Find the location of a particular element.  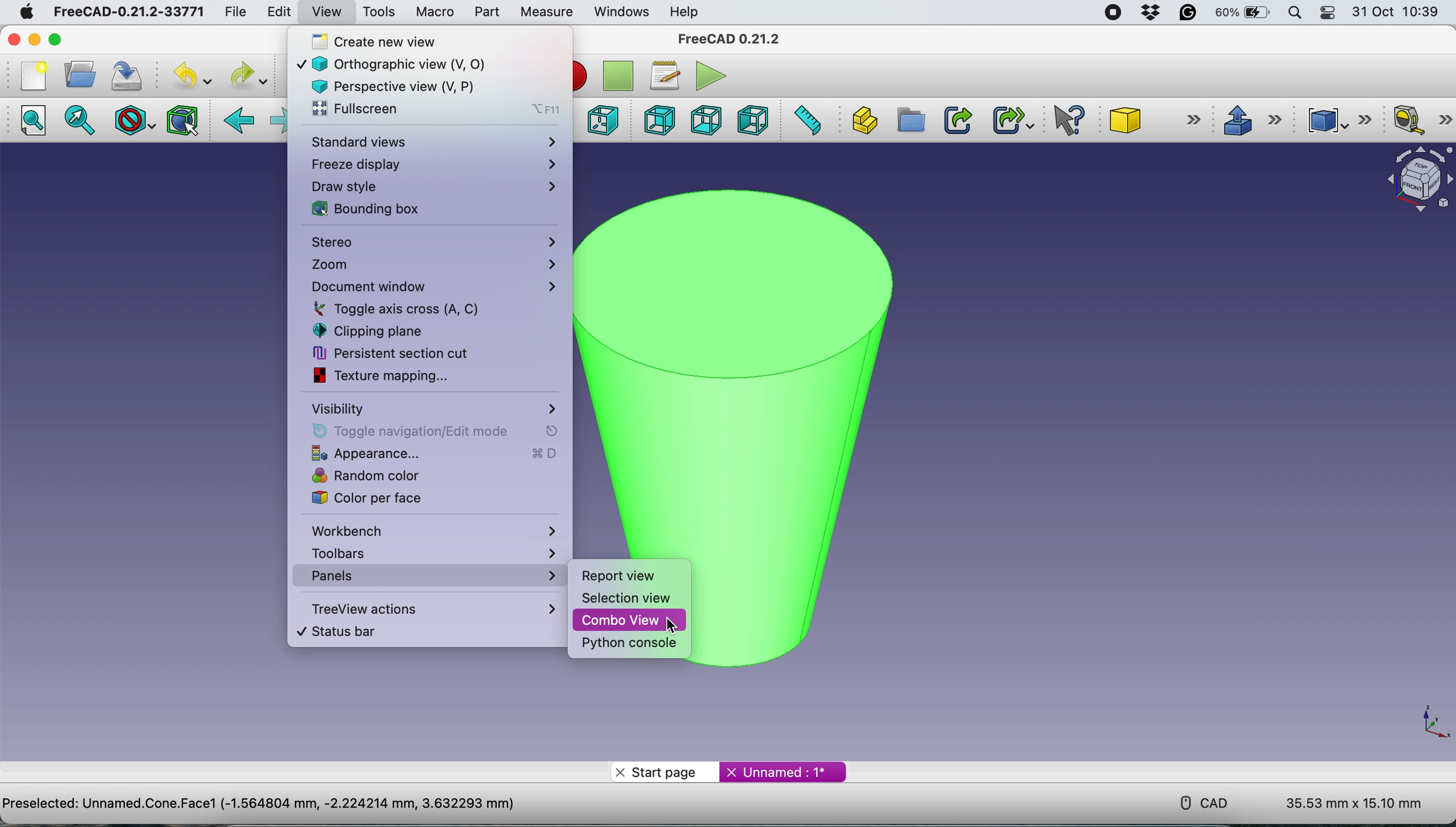

31 oct 10:39 is located at coordinates (1401, 12).